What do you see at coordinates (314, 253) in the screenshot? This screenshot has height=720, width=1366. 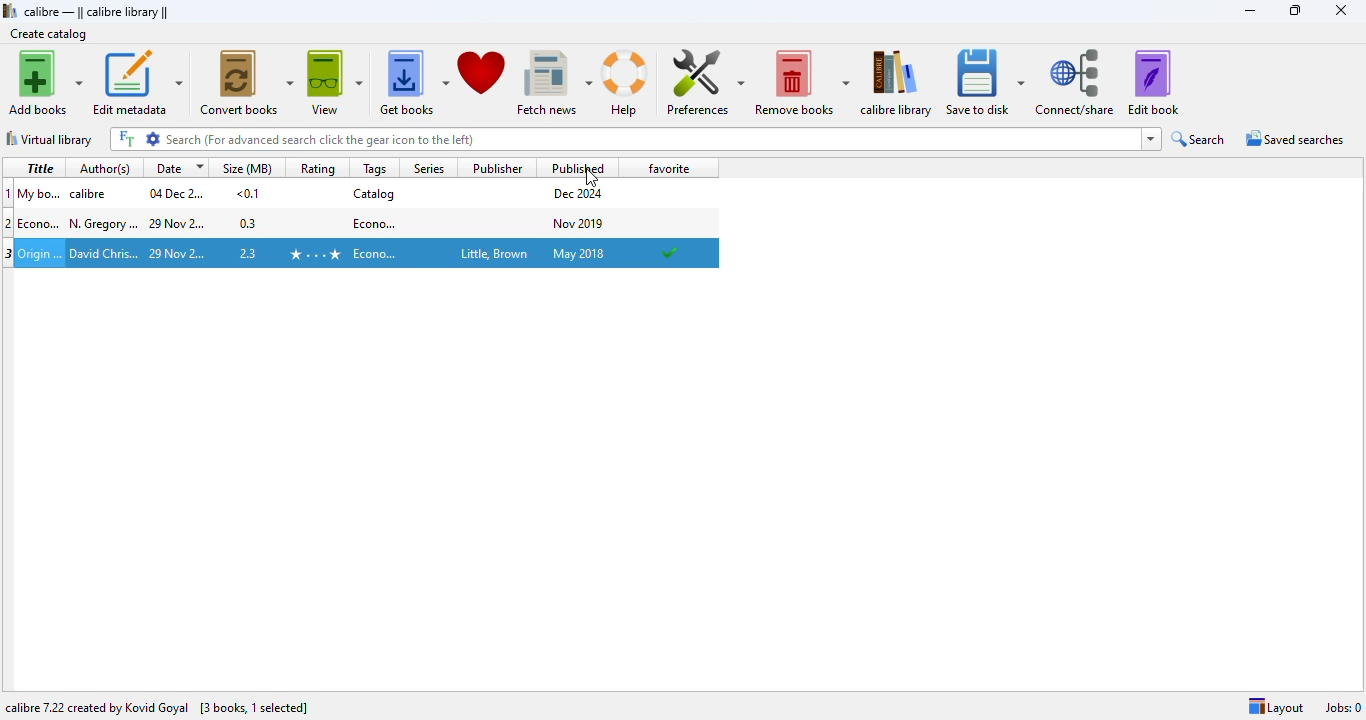 I see `rating` at bounding box center [314, 253].